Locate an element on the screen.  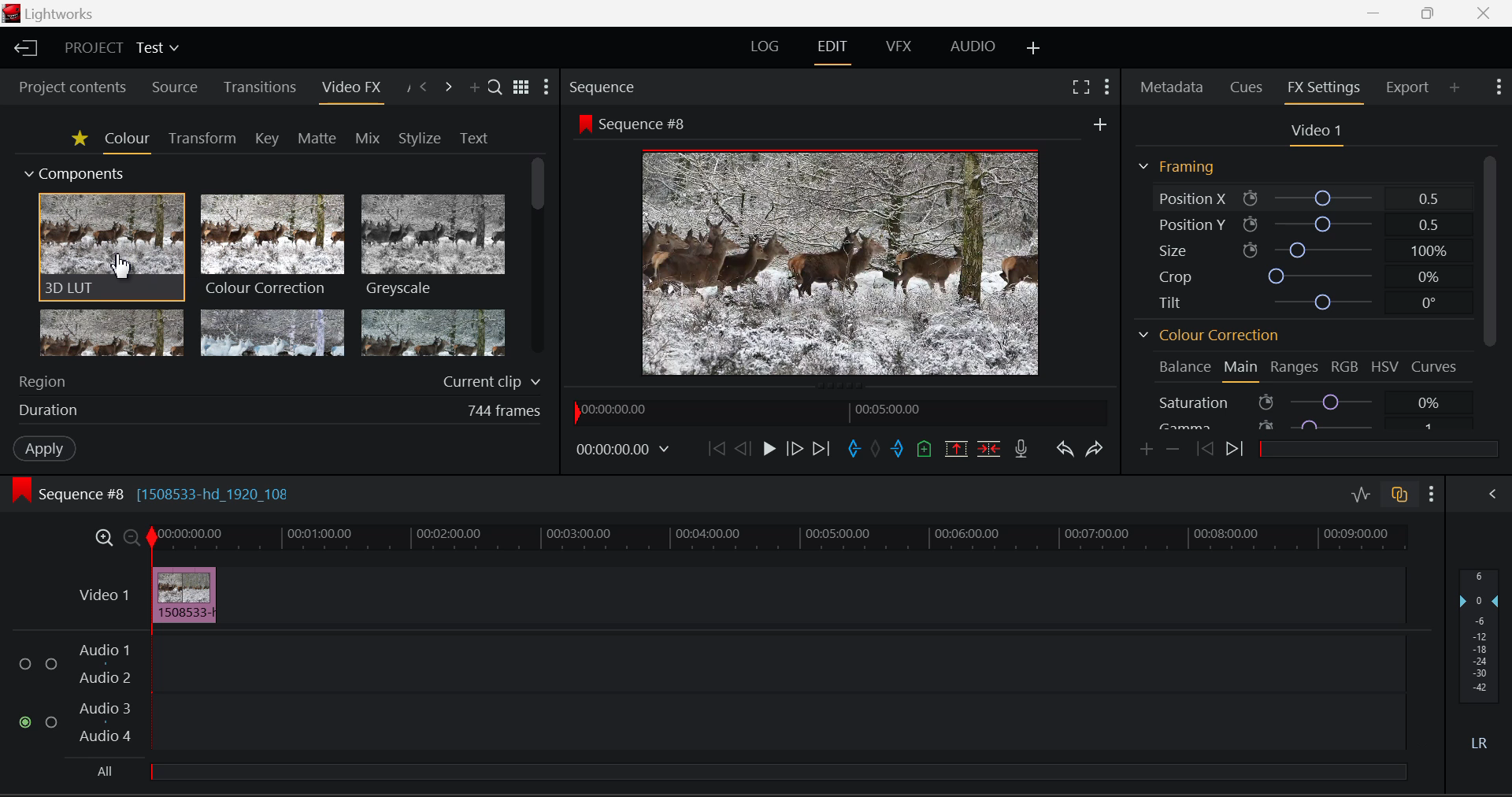
Colour Correction is located at coordinates (273, 246).